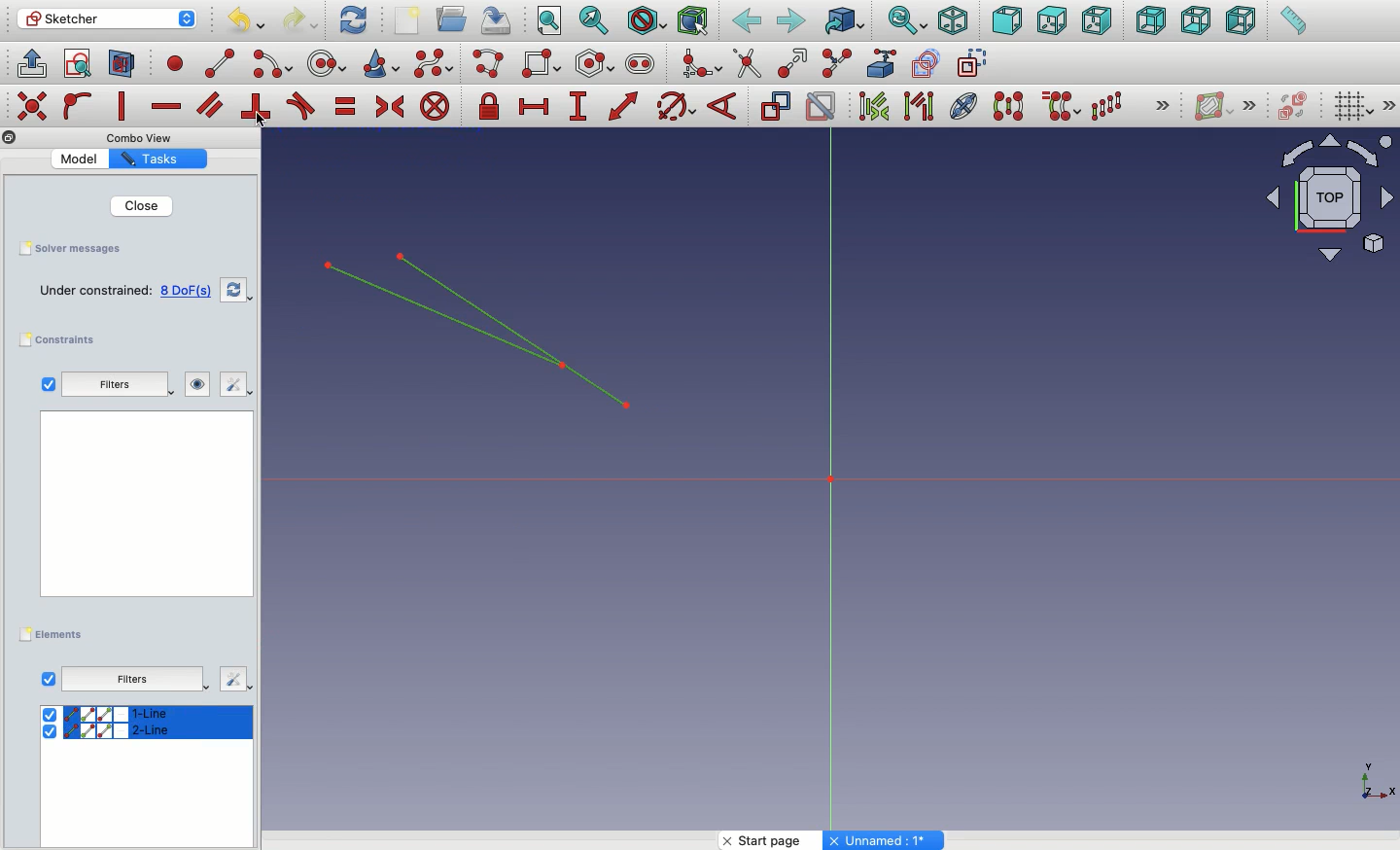  Describe the element at coordinates (746, 22) in the screenshot. I see `Back` at that location.